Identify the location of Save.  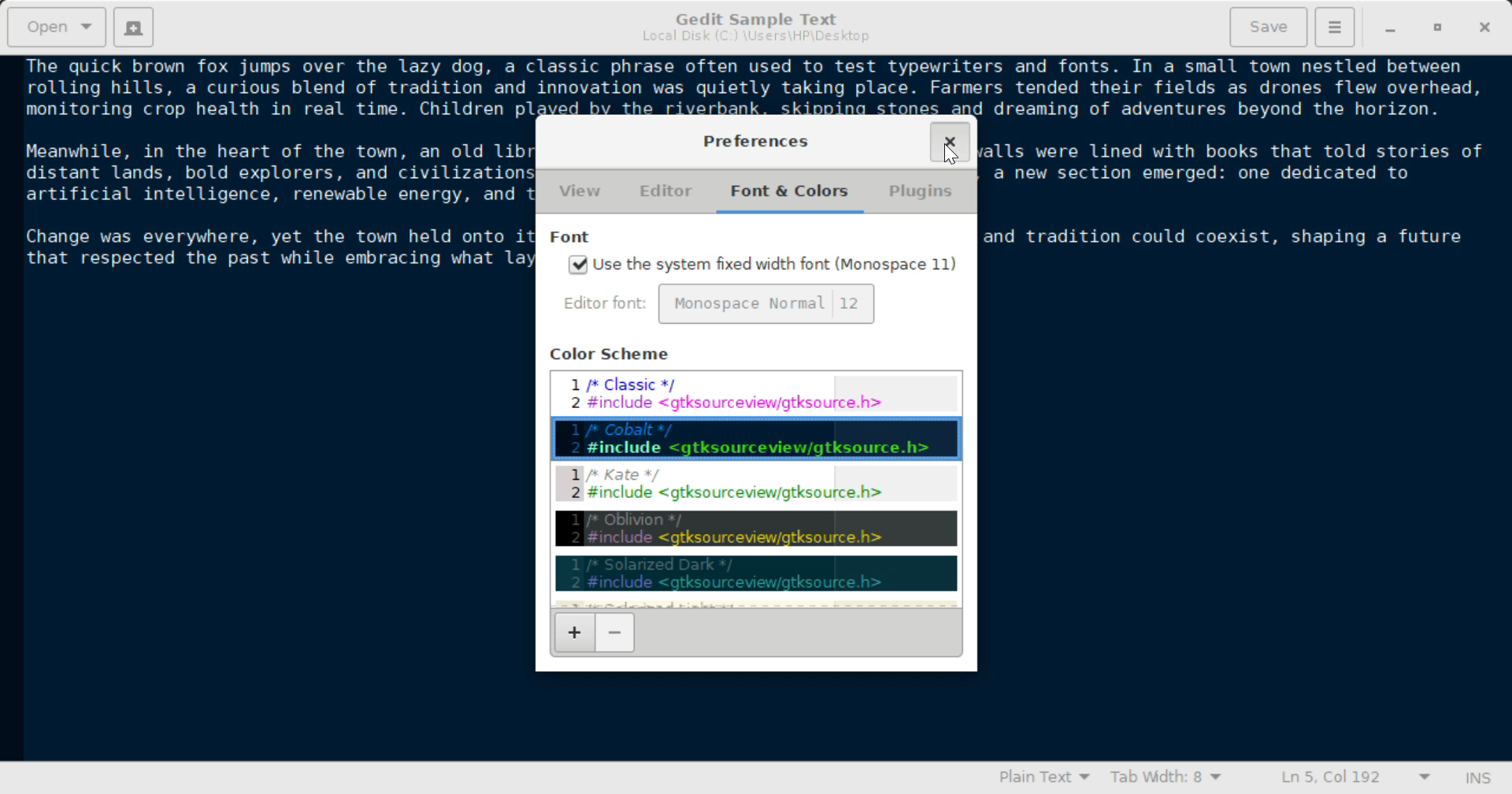
(1269, 25).